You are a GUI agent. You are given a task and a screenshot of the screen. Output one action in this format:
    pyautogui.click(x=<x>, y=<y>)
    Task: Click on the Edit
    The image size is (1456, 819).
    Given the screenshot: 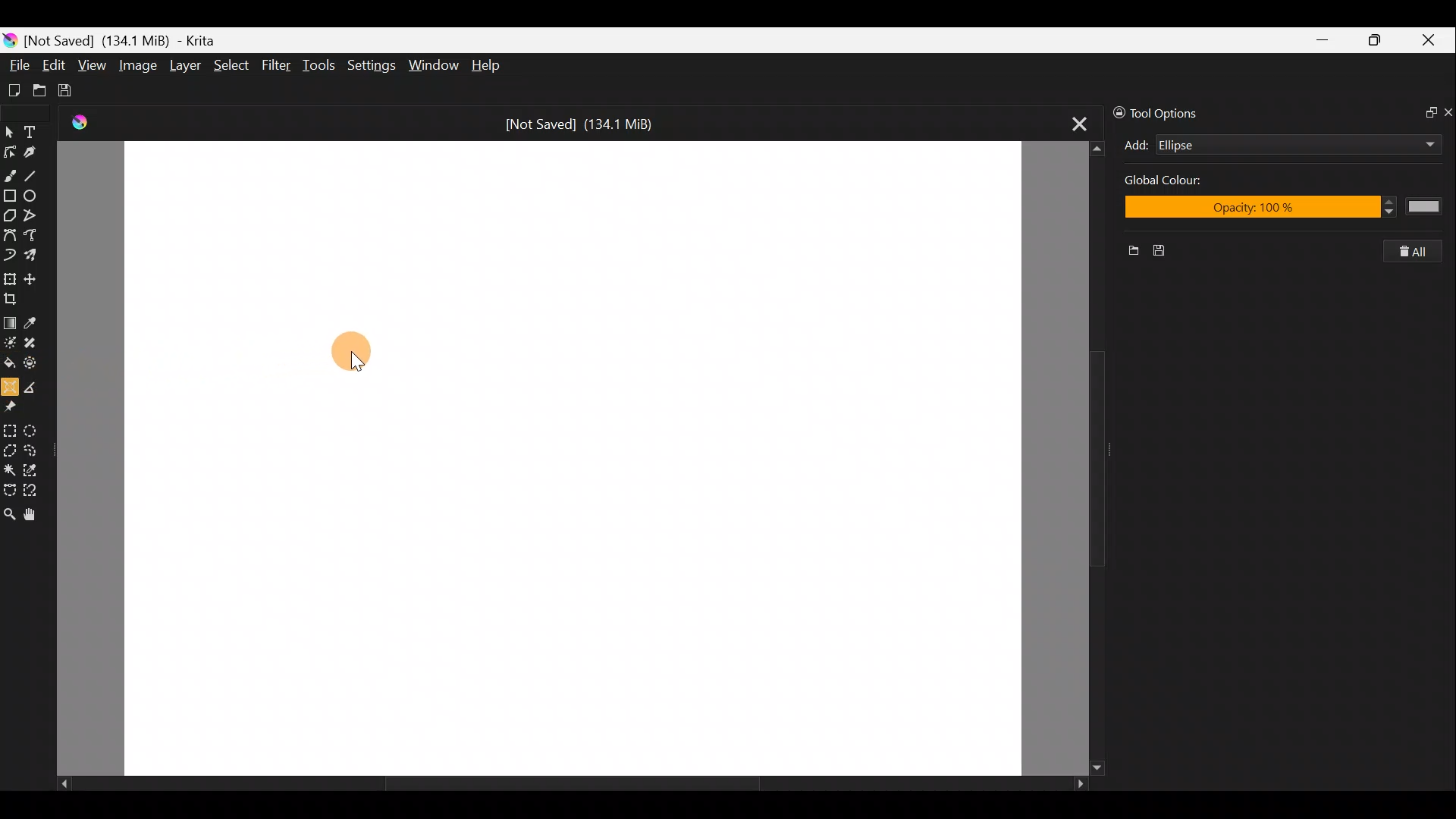 What is the action you would take?
    pyautogui.click(x=55, y=65)
    